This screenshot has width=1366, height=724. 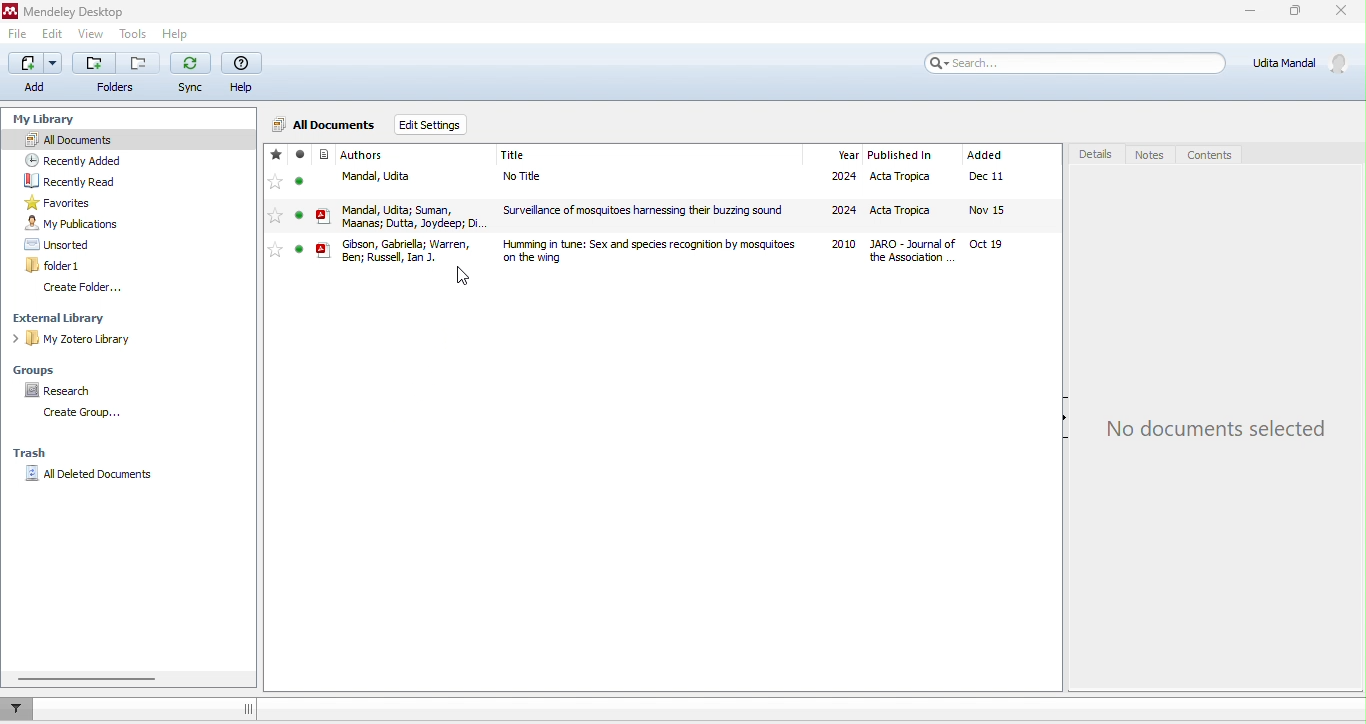 What do you see at coordinates (76, 341) in the screenshot?
I see `my zotero library` at bounding box center [76, 341].